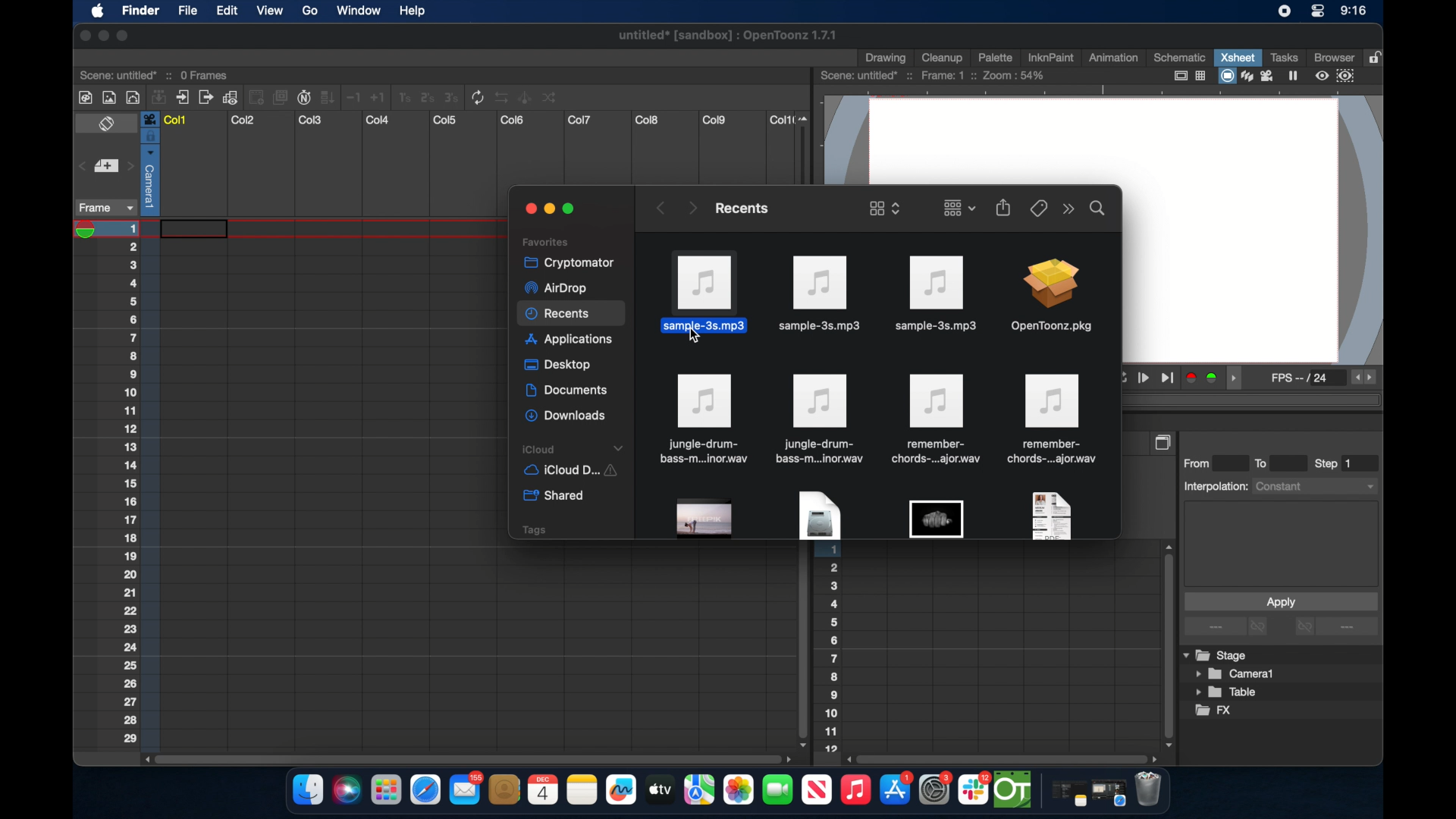 The image size is (1456, 819). What do you see at coordinates (818, 516) in the screenshot?
I see `obscure icon` at bounding box center [818, 516].